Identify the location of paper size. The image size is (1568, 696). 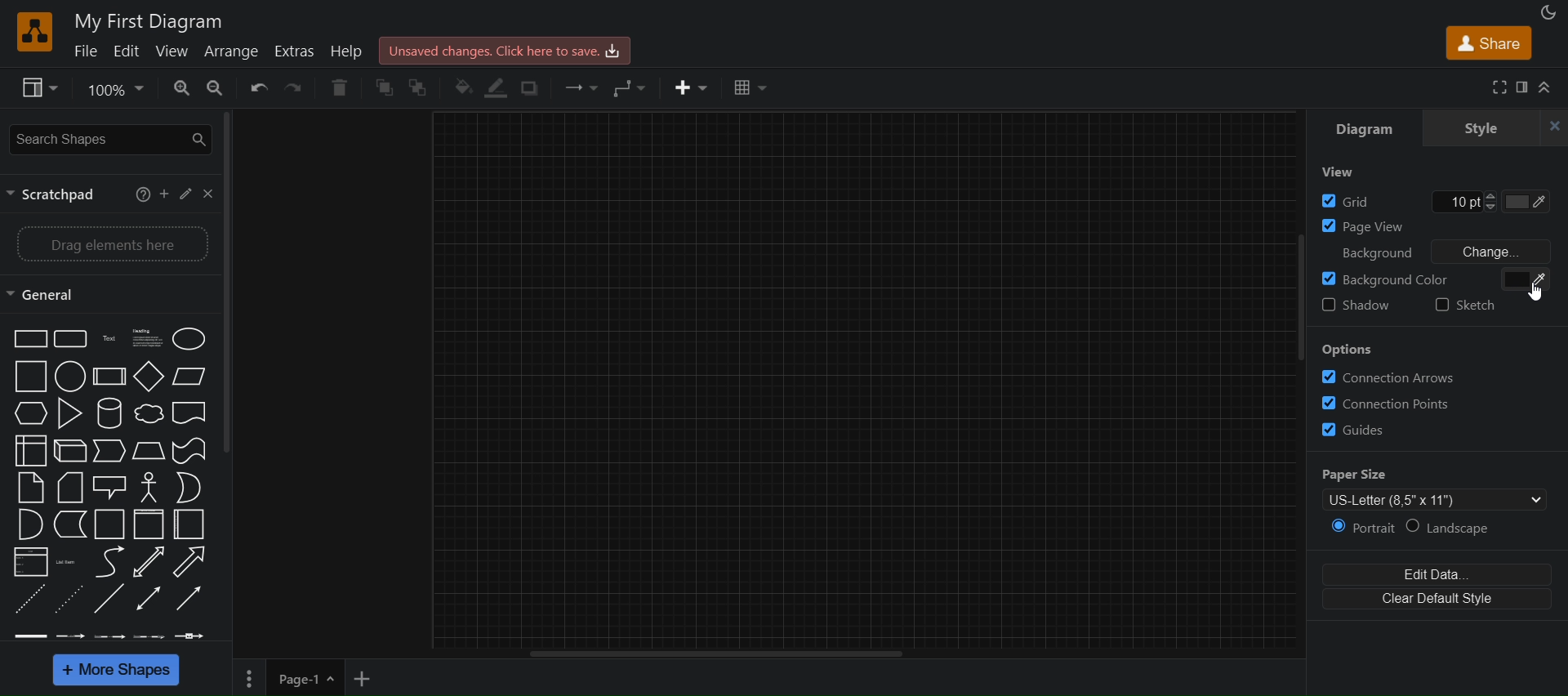
(1431, 489).